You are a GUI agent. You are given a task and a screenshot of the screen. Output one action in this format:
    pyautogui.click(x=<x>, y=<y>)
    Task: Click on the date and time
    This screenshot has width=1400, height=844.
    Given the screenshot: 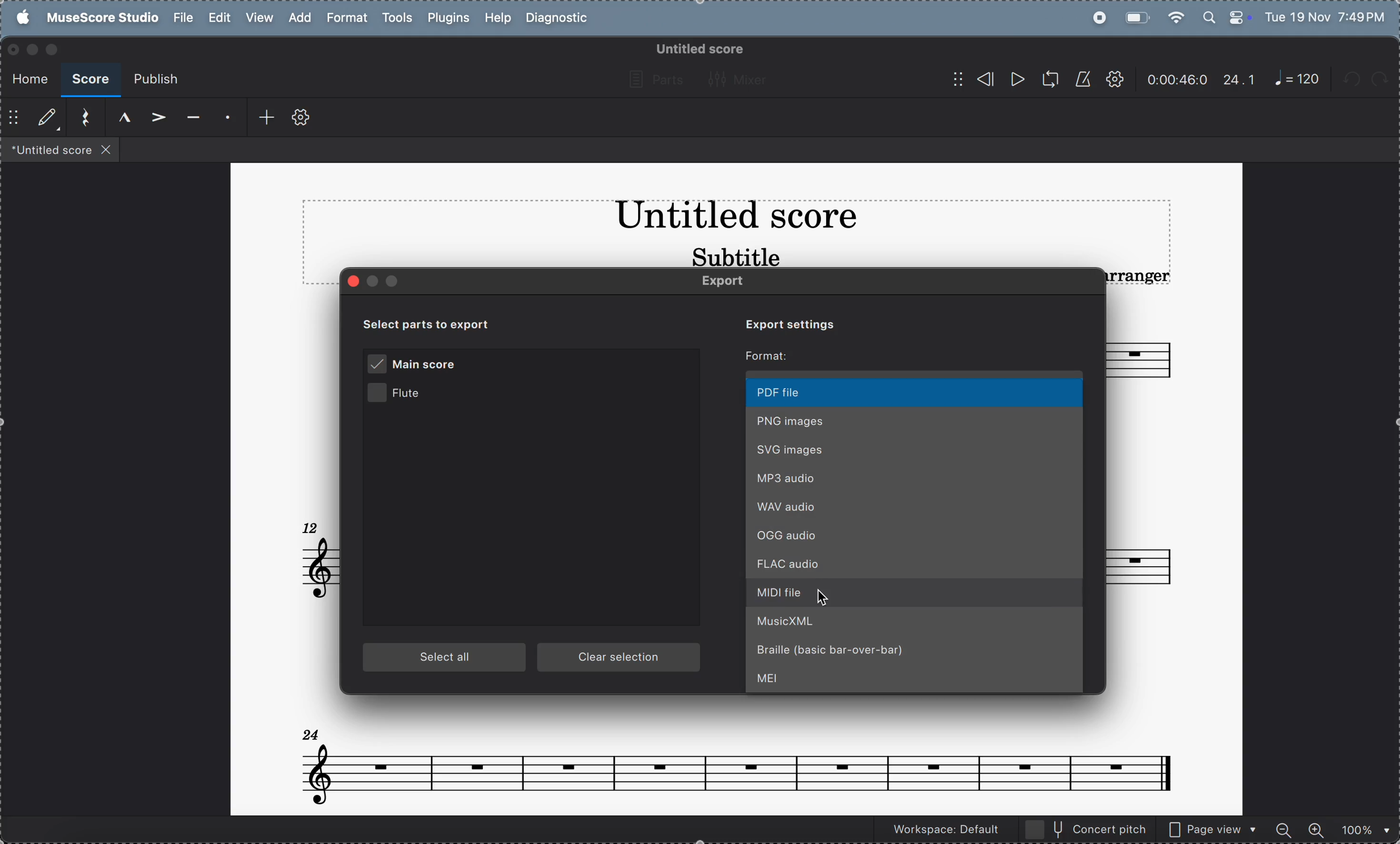 What is the action you would take?
    pyautogui.click(x=1326, y=16)
    